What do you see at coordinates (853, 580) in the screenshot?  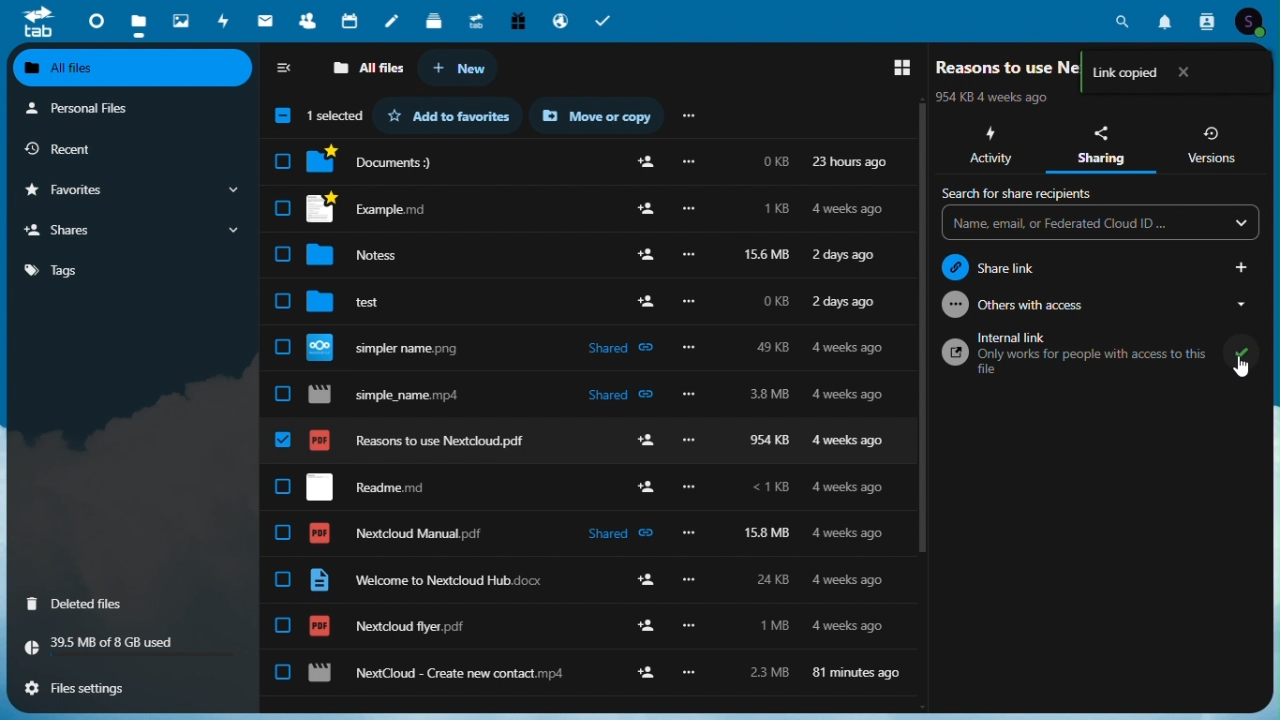 I see `4 weeks ago` at bounding box center [853, 580].